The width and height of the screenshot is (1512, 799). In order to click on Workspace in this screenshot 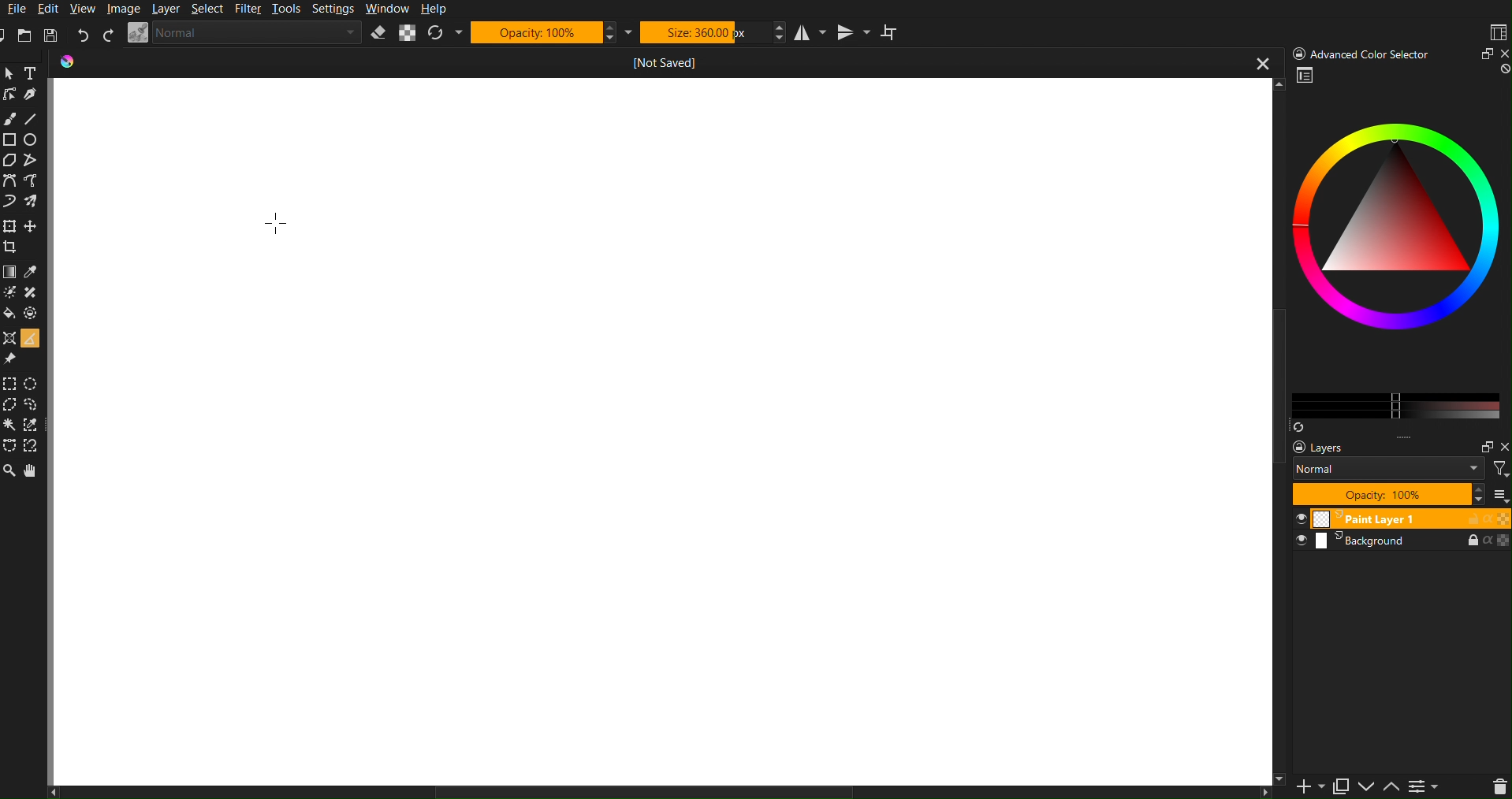, I will do `click(1496, 32)`.